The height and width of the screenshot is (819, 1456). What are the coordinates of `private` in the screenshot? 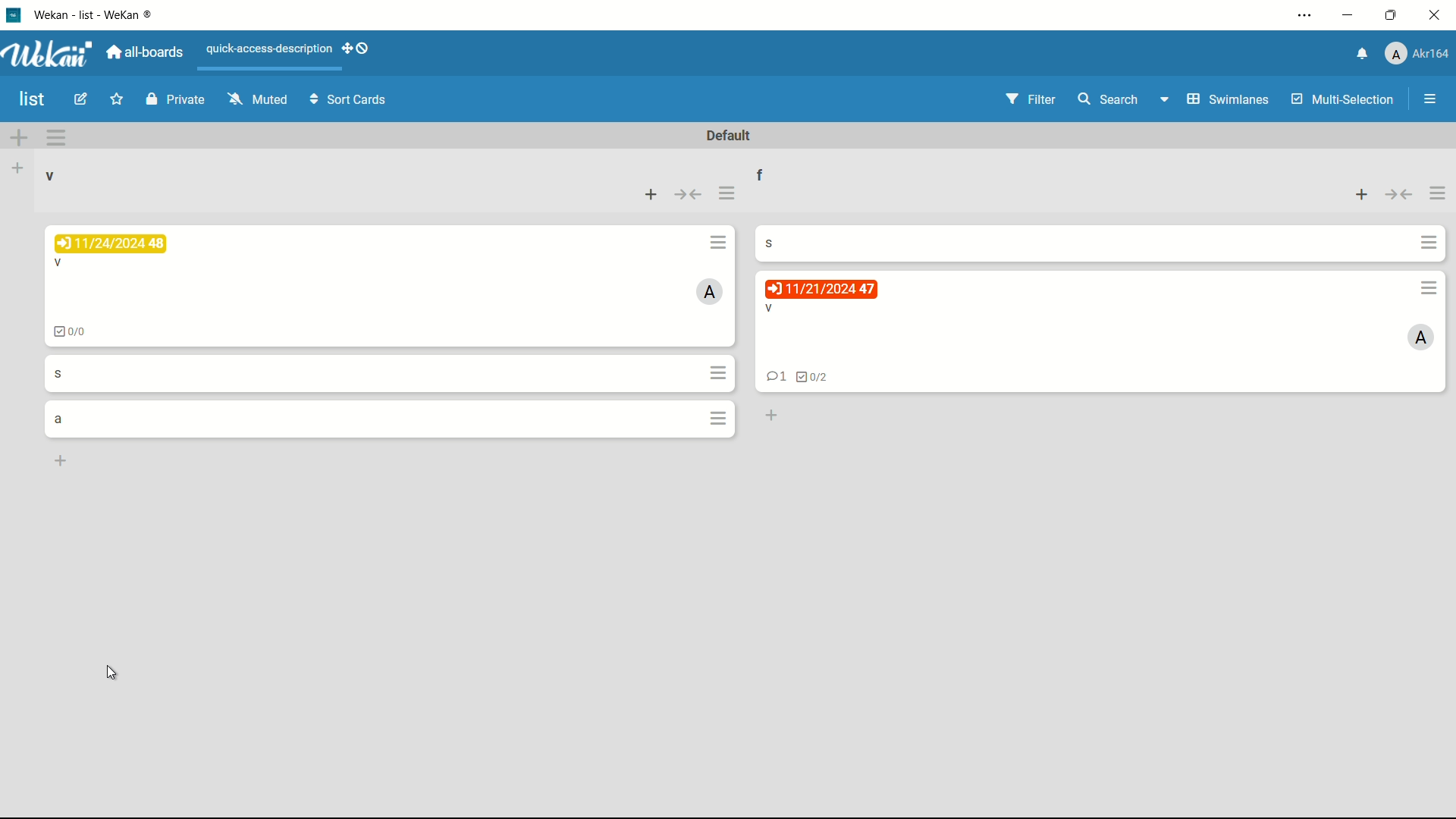 It's located at (175, 101).